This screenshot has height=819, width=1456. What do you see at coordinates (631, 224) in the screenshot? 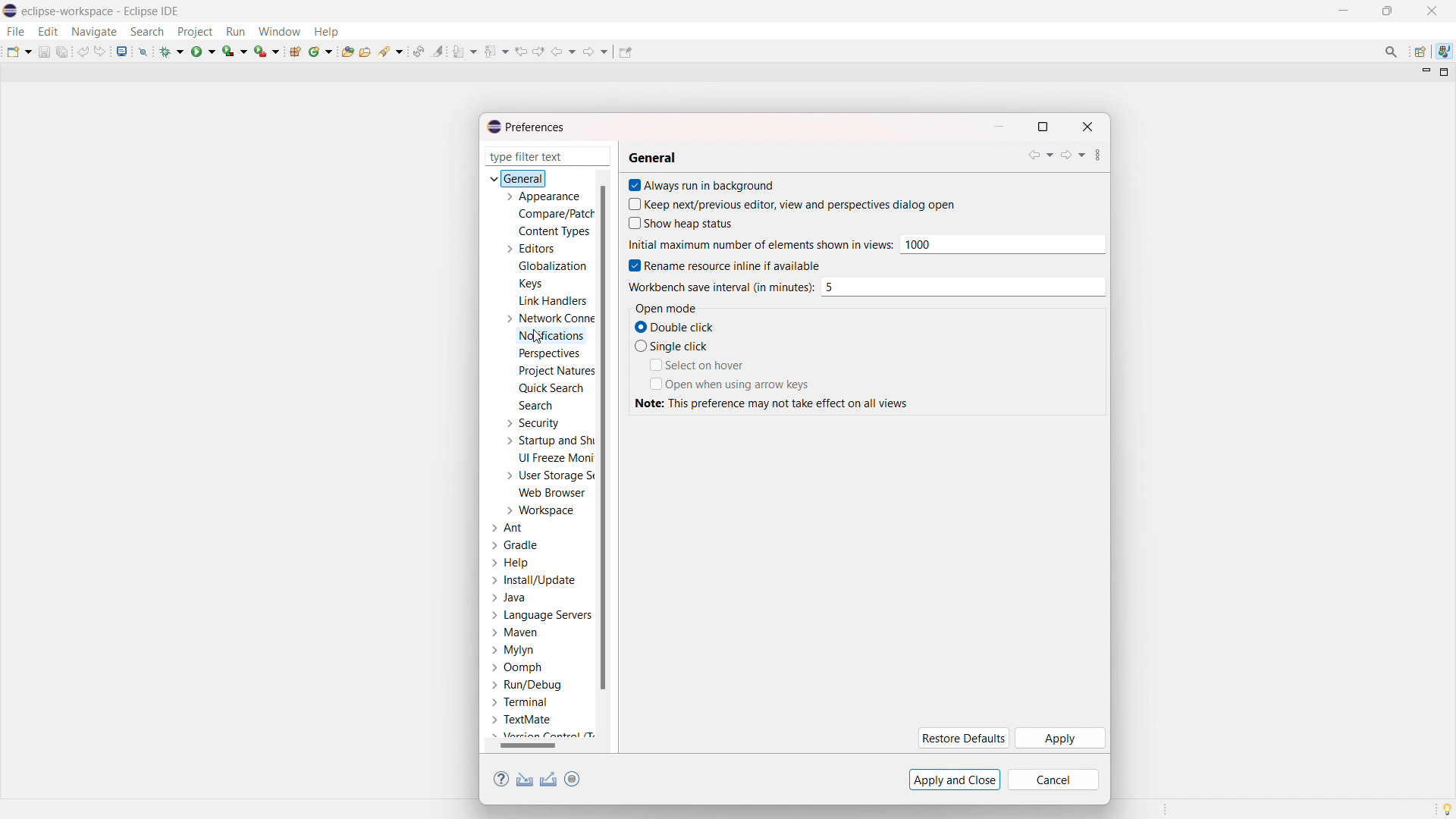
I see `Checkbox` at bounding box center [631, 224].